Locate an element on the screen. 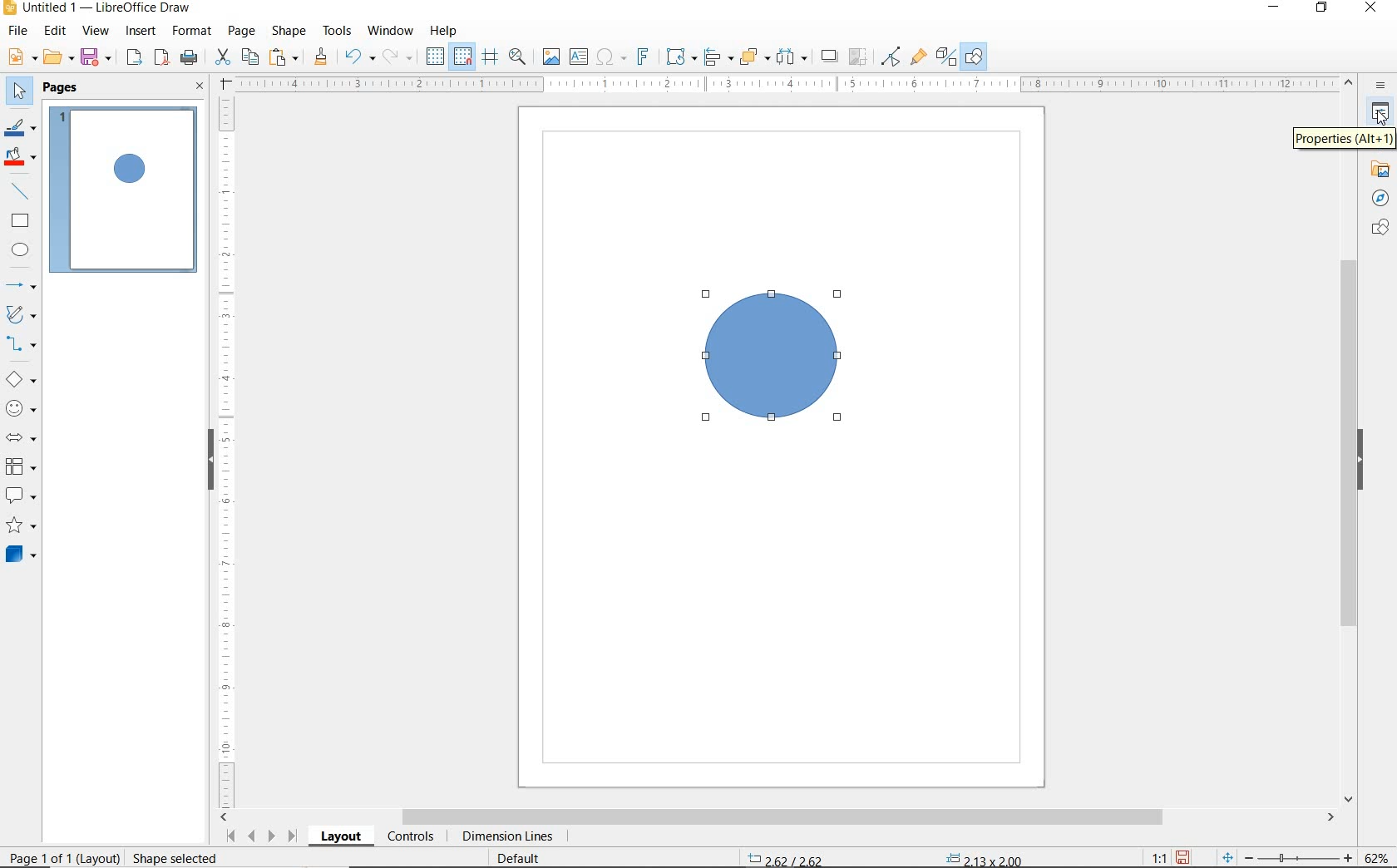 This screenshot has height=868, width=1397. CROP IMAGE is located at coordinates (859, 56).